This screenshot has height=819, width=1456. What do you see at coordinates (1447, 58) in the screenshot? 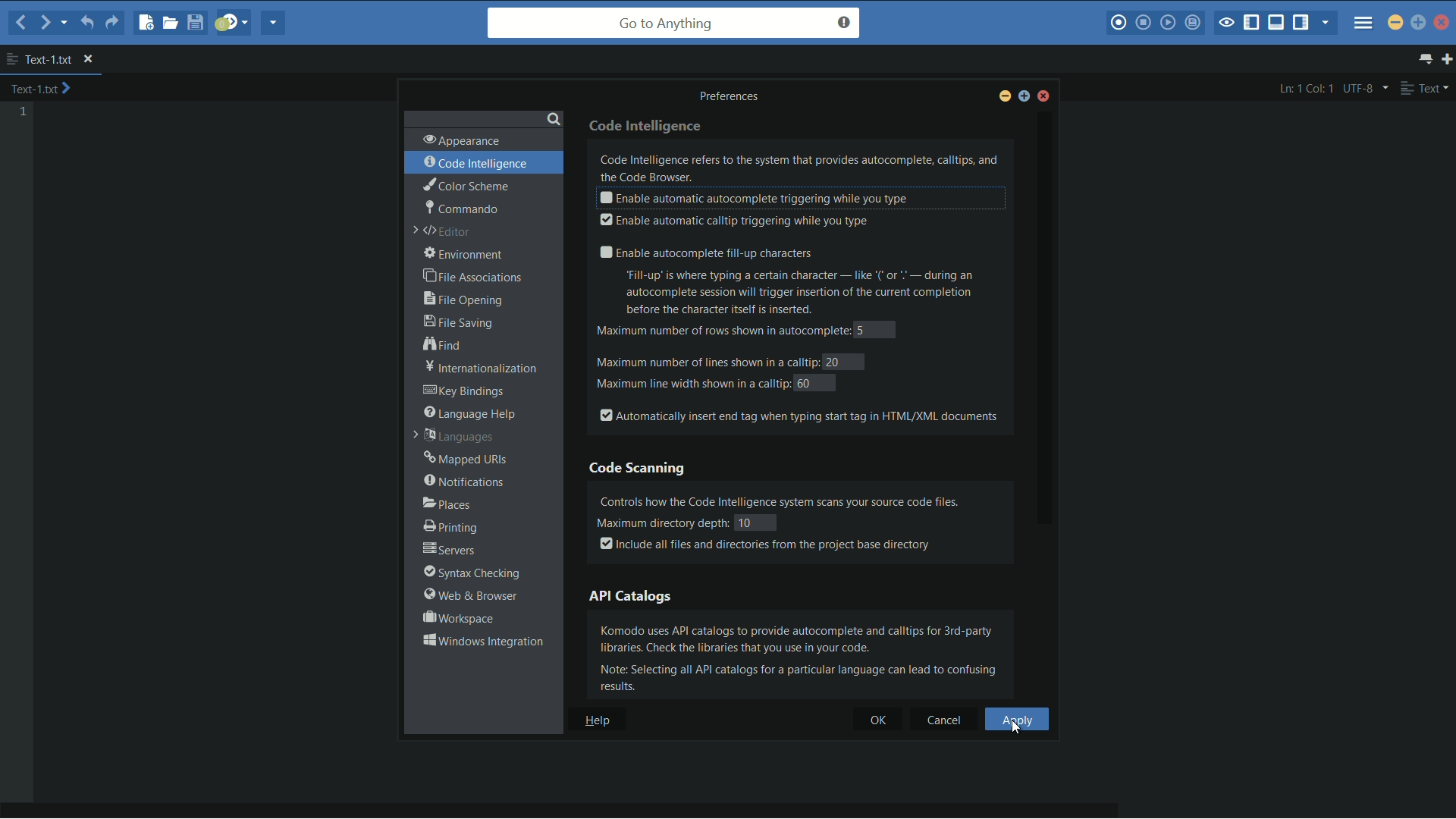
I see `new tab` at bounding box center [1447, 58].